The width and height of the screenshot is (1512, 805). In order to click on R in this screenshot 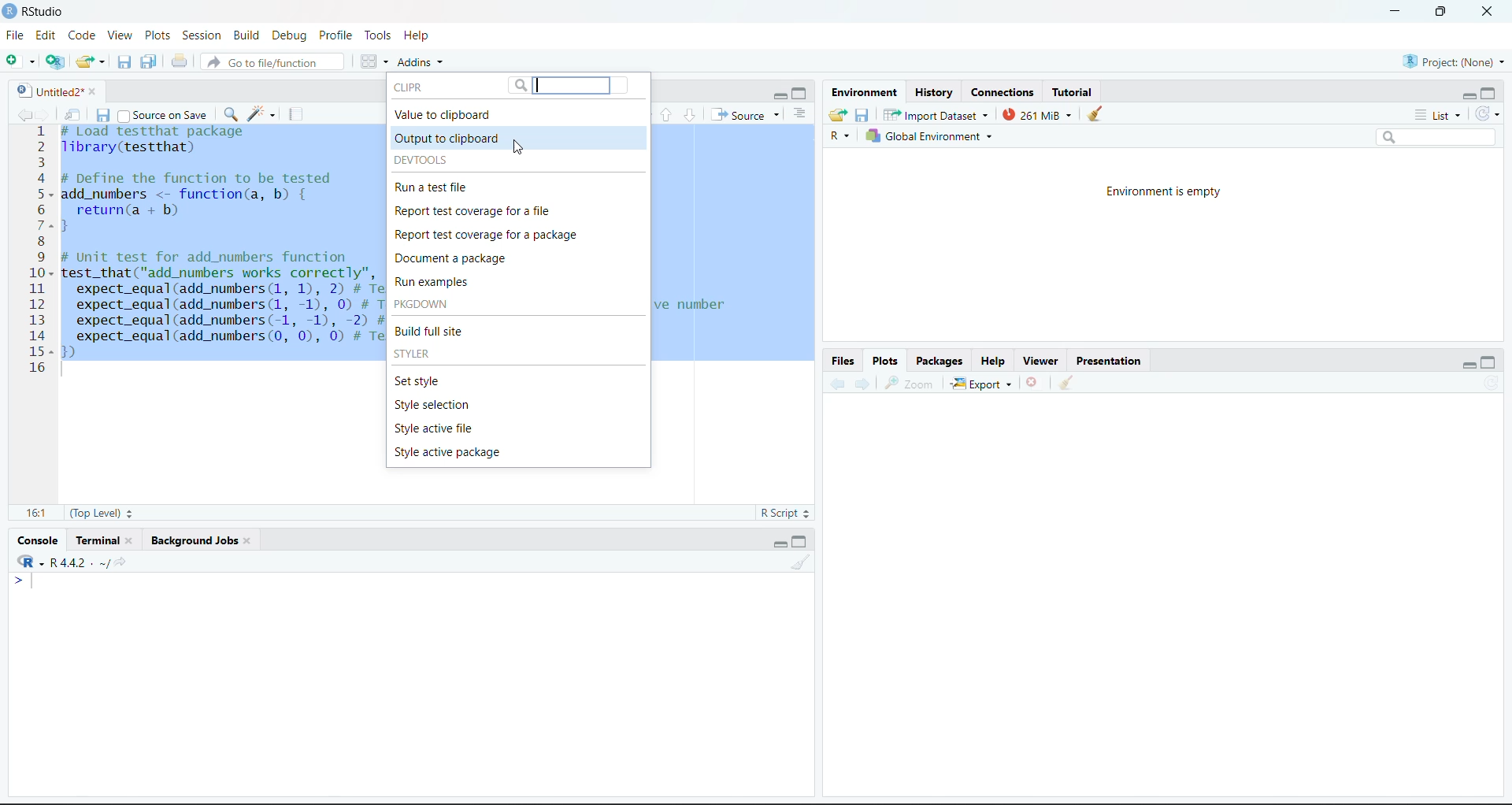, I will do `click(837, 135)`.